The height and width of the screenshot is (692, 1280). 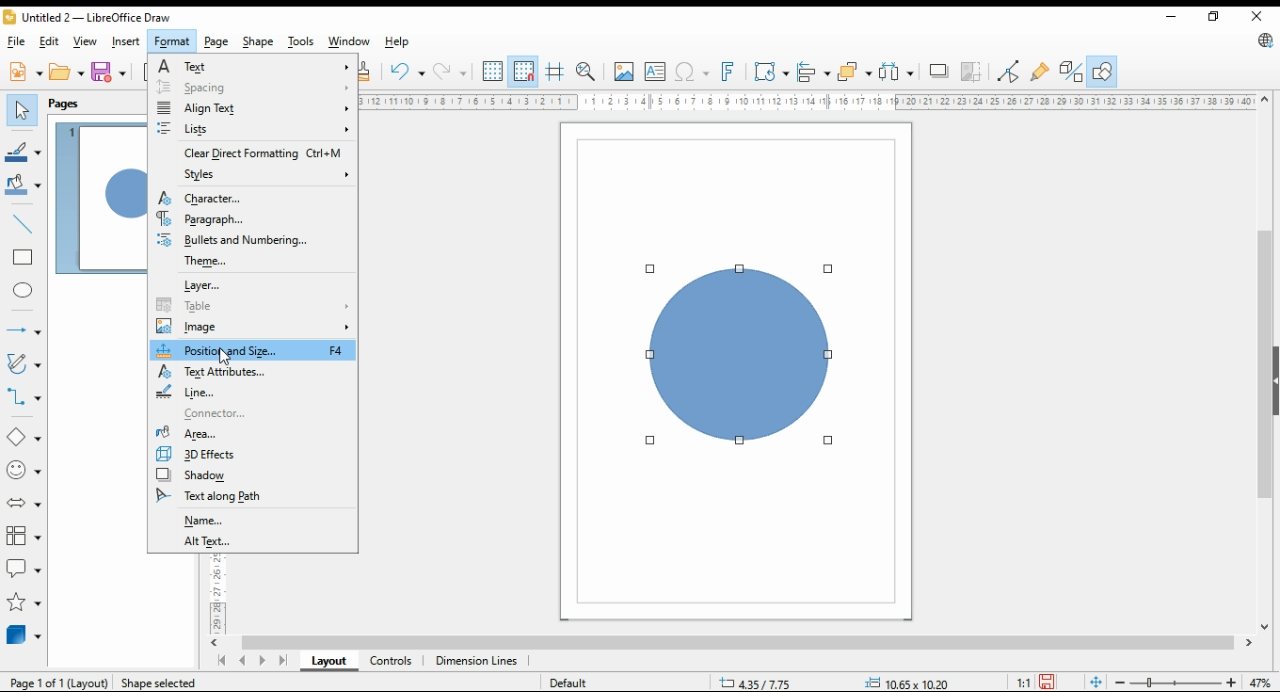 I want to click on close window, so click(x=1257, y=16).